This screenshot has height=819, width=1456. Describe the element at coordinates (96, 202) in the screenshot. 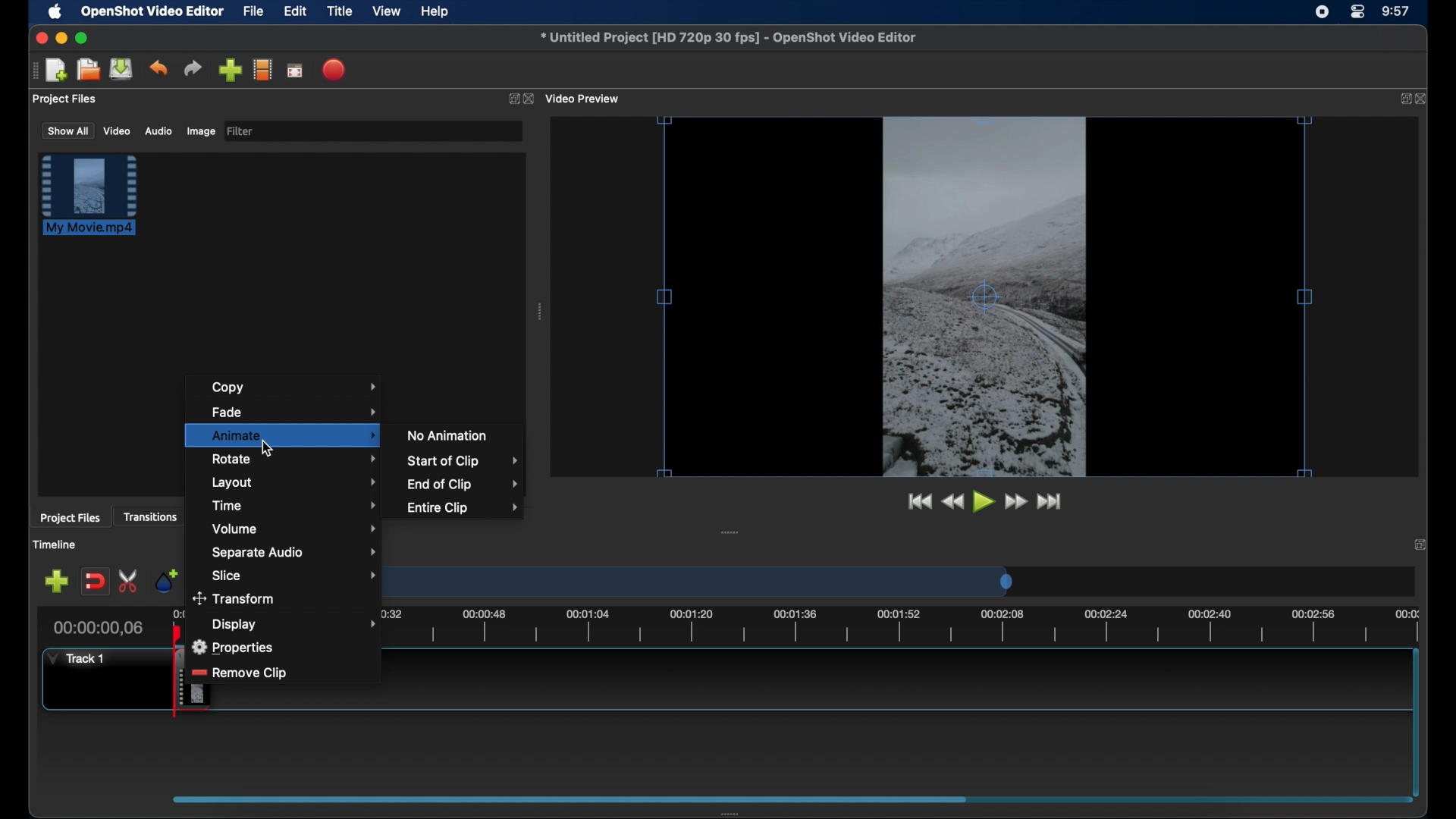

I see `clip highlighted` at that location.